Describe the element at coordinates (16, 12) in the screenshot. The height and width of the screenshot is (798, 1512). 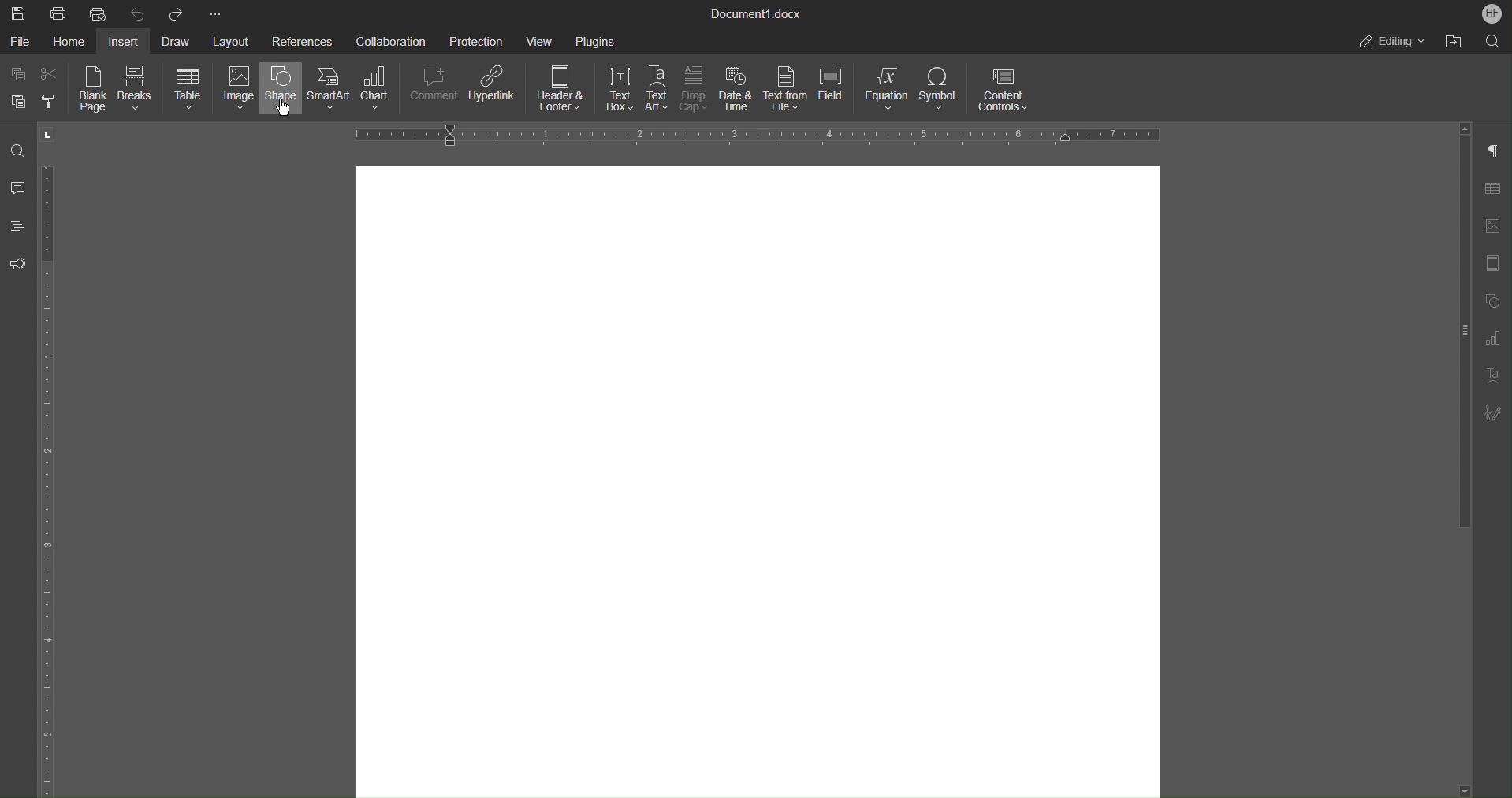
I see `Save` at that location.